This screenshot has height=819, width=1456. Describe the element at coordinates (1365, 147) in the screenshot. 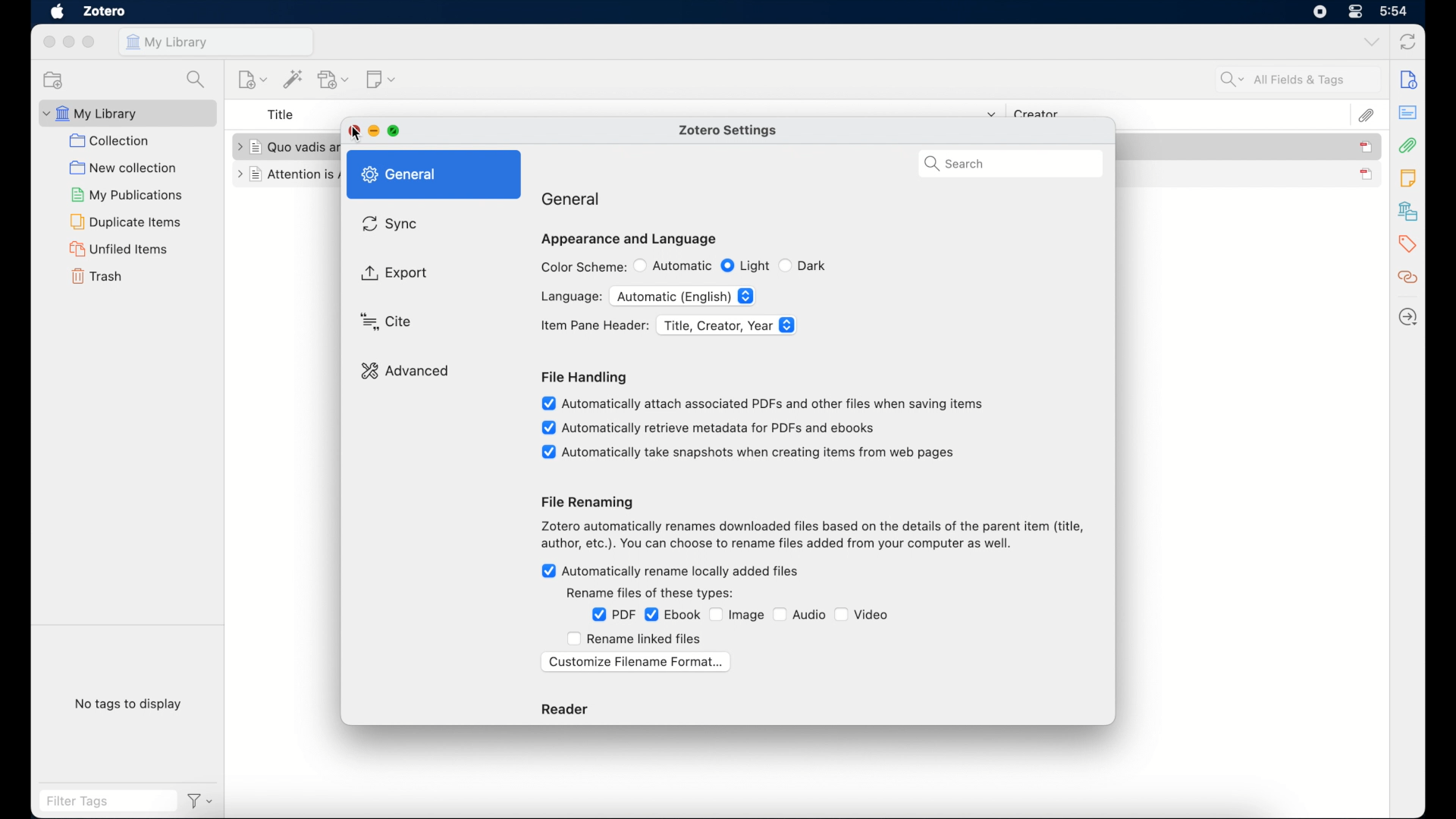

I see `item selected` at that location.